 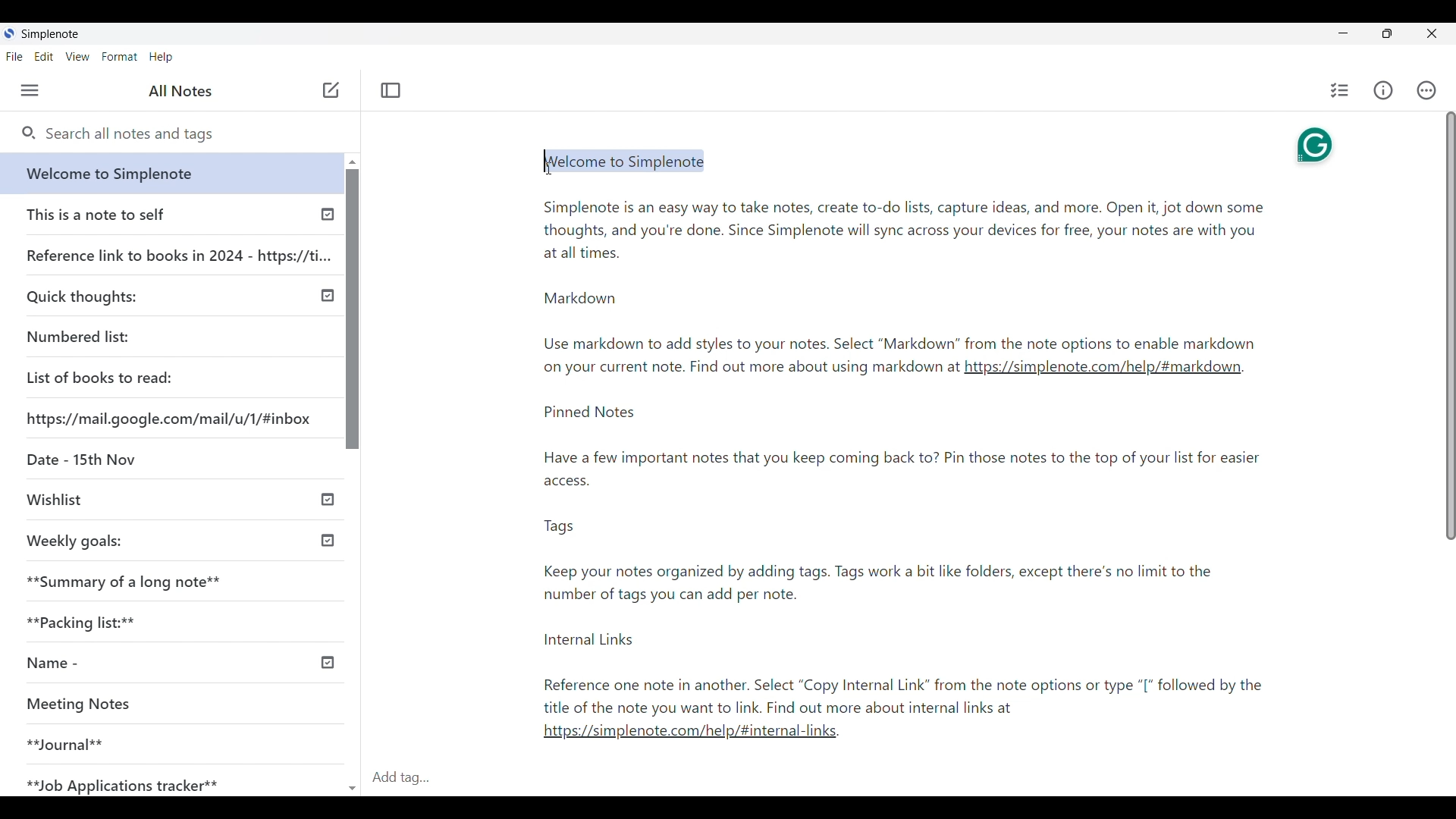 What do you see at coordinates (125, 581) in the screenshot?
I see `Summary of a long note` at bounding box center [125, 581].